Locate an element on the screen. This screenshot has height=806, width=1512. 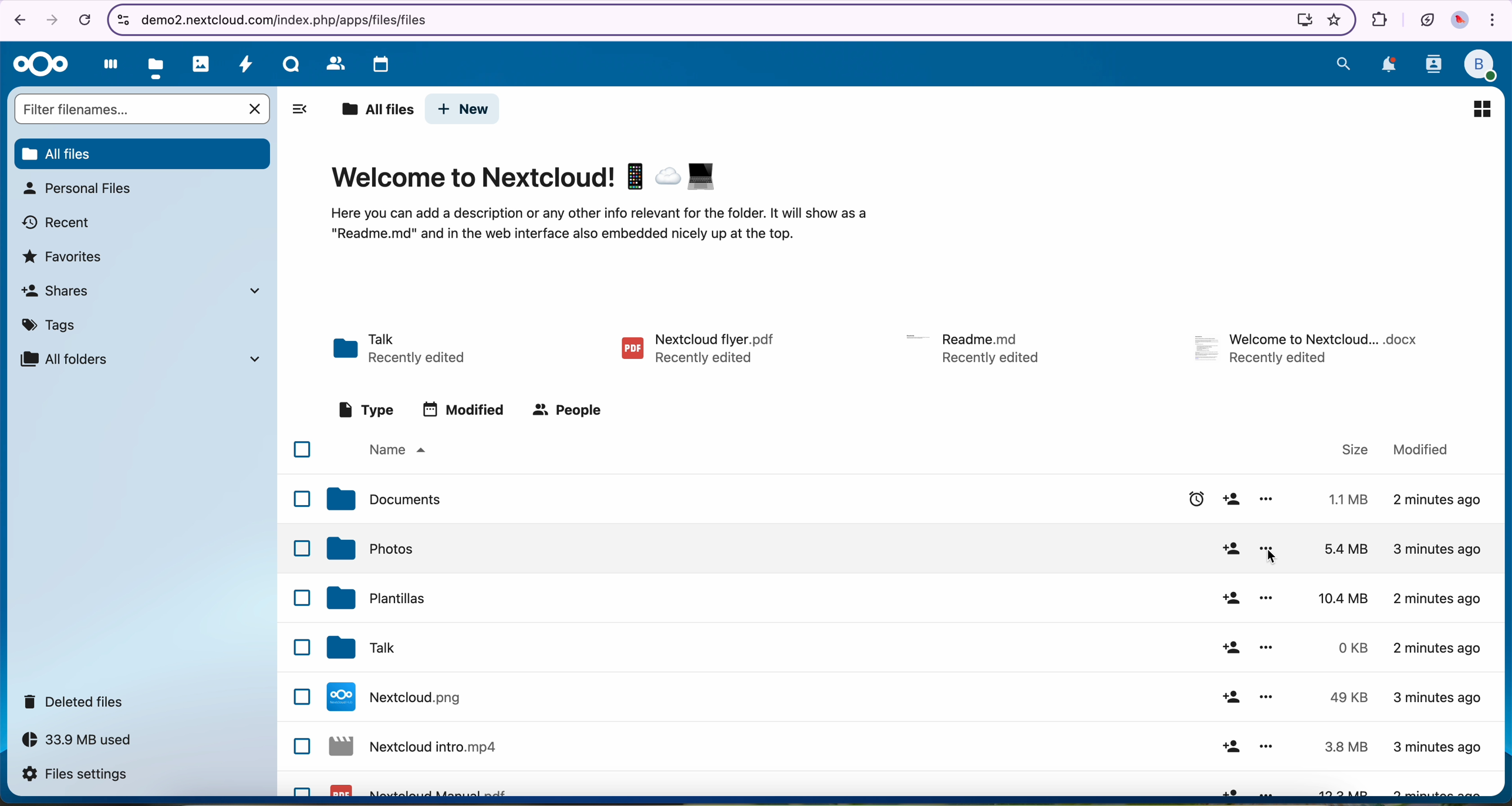
new button is located at coordinates (465, 109).